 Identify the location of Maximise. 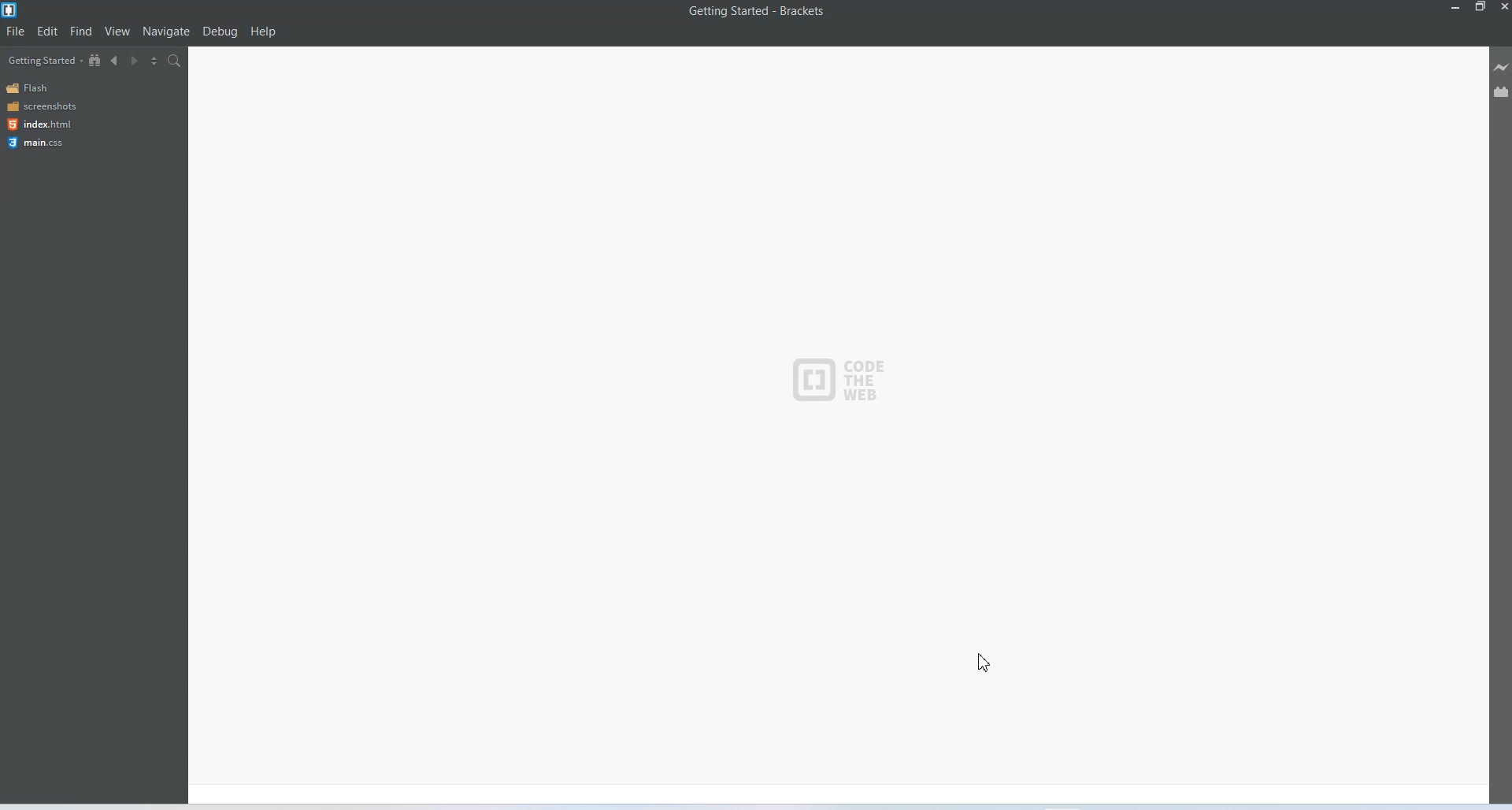
(1480, 7).